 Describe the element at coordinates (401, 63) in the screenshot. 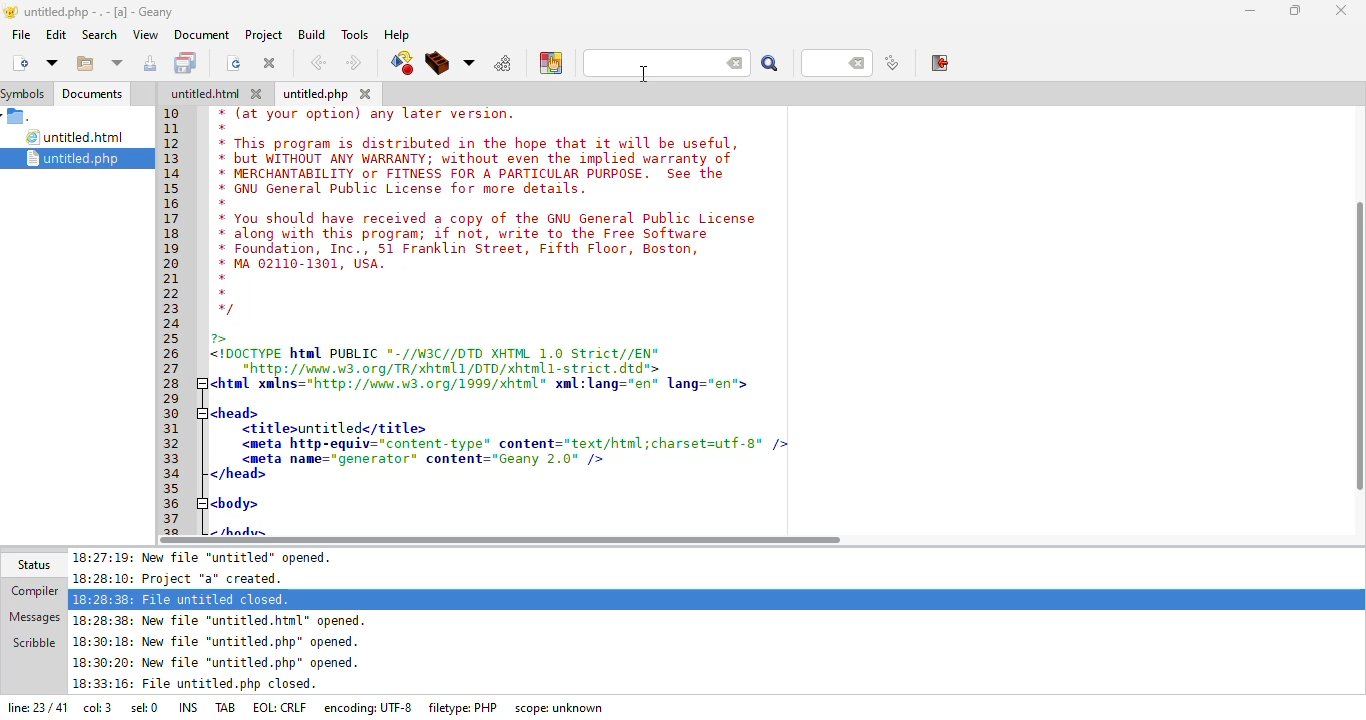

I see `compile` at that location.